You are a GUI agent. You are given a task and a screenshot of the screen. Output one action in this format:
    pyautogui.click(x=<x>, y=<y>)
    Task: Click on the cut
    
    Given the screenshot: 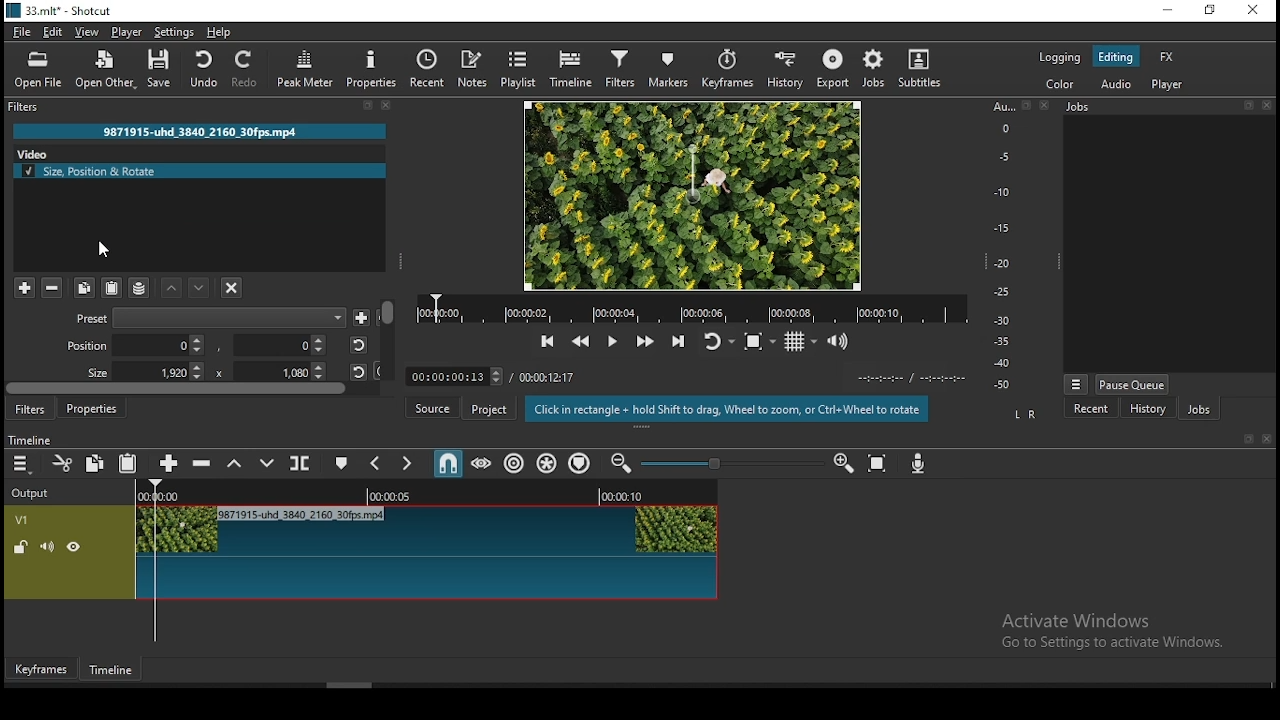 What is the action you would take?
    pyautogui.click(x=61, y=463)
    